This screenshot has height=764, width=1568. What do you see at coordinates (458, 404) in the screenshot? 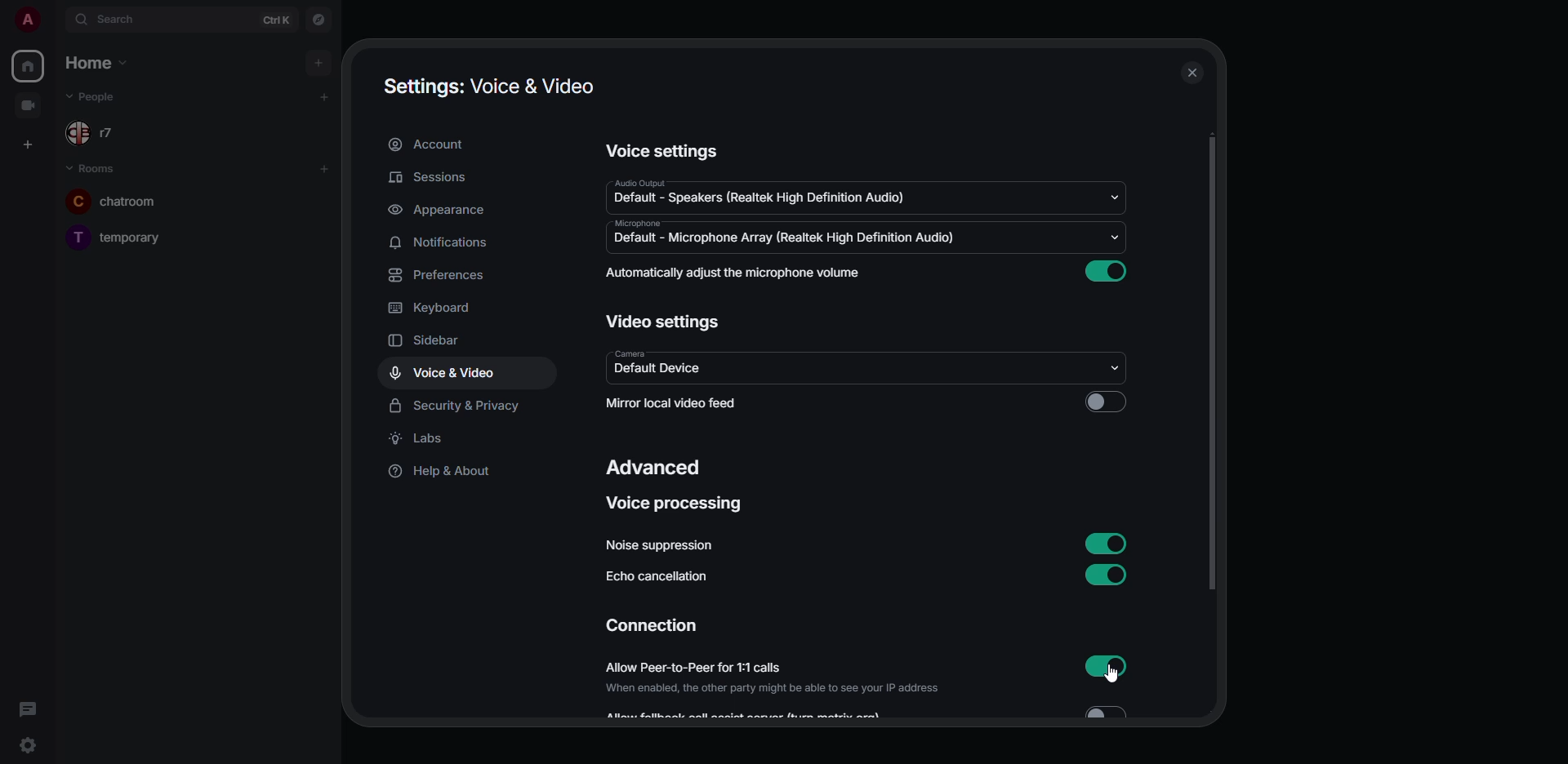
I see `security & privacy` at bounding box center [458, 404].